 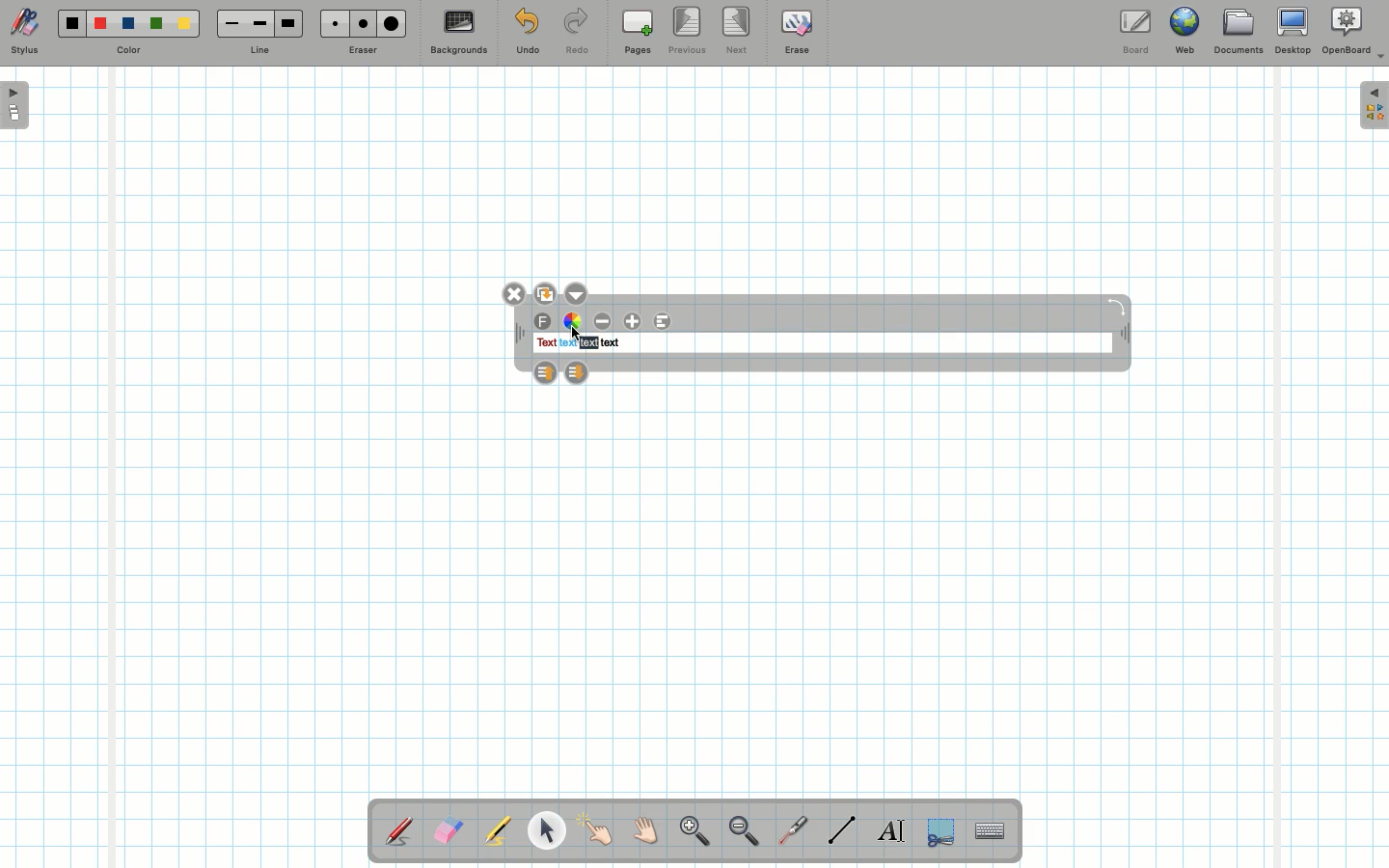 I want to click on text, so click(x=589, y=343).